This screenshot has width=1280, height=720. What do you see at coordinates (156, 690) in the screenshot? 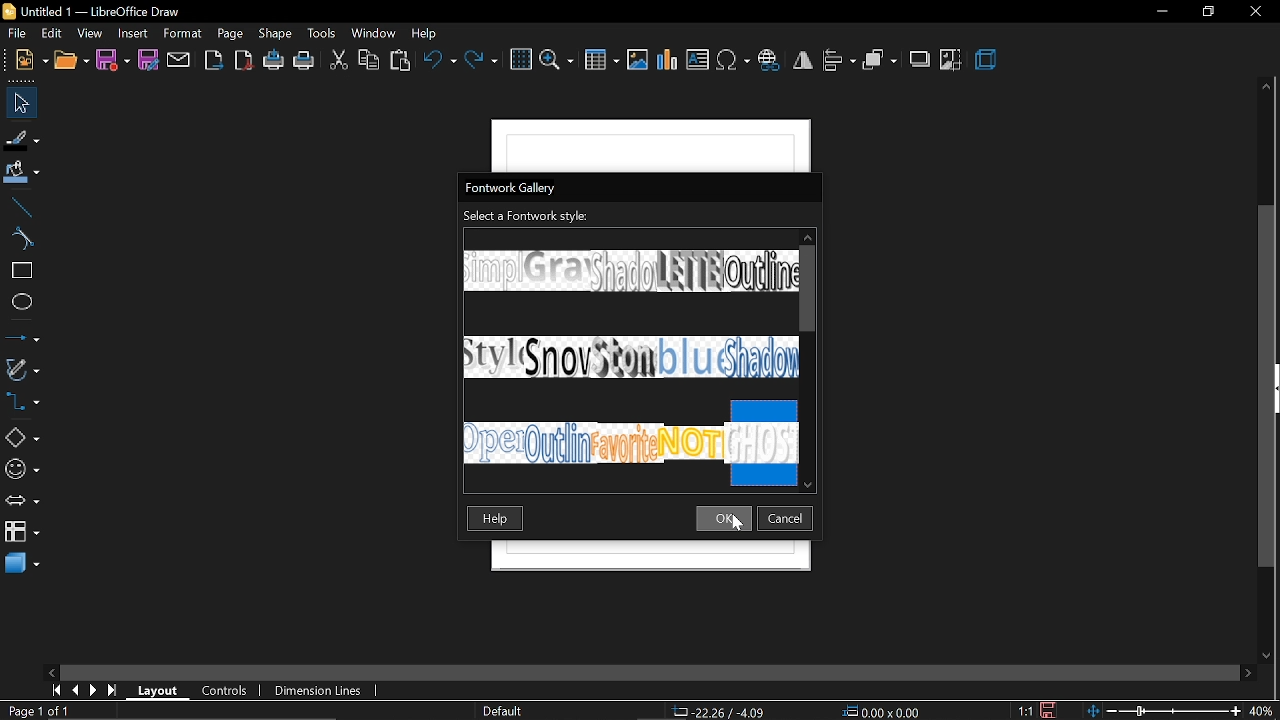
I see `layout` at bounding box center [156, 690].